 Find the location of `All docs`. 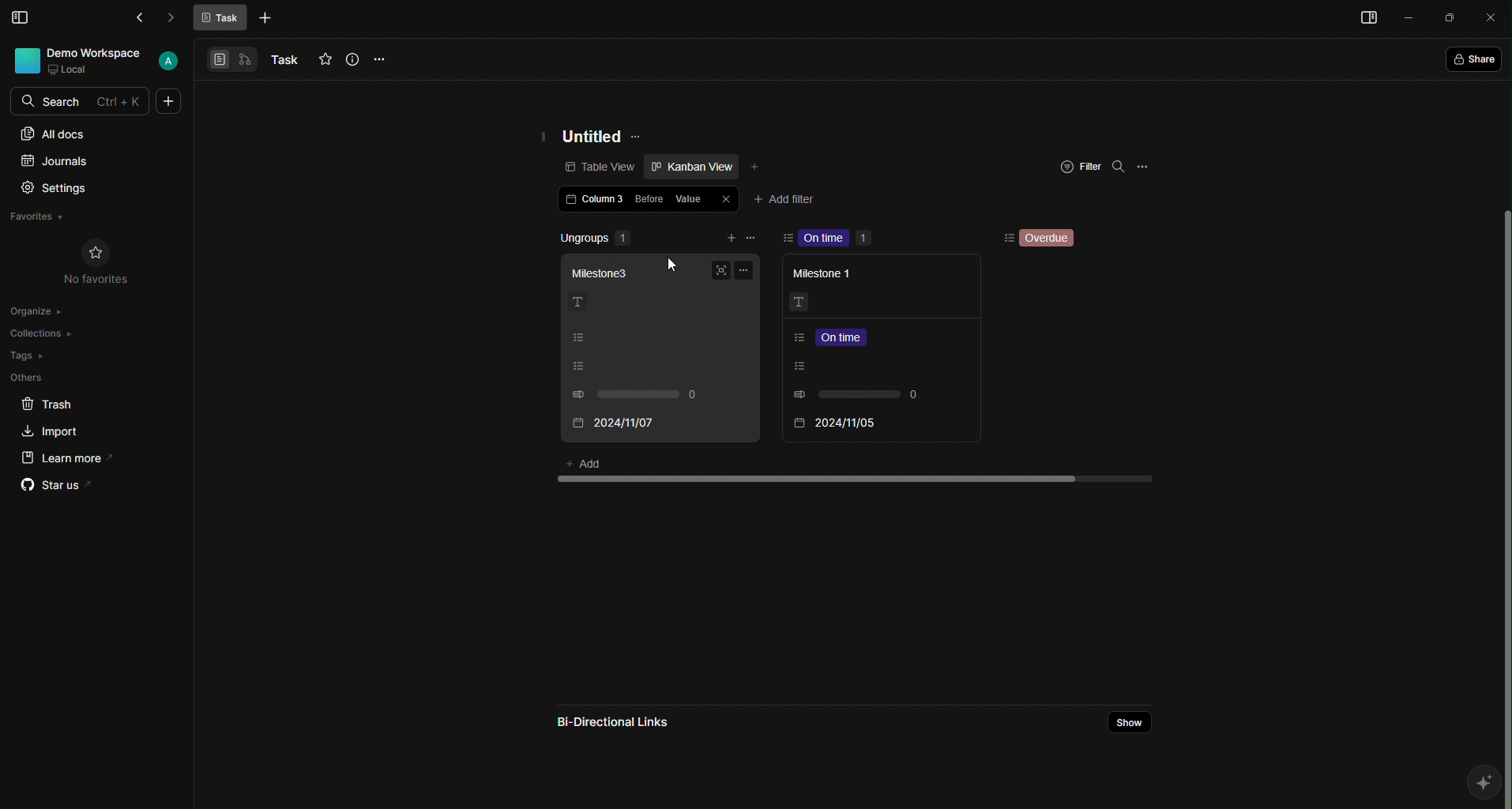

All docs is located at coordinates (54, 135).